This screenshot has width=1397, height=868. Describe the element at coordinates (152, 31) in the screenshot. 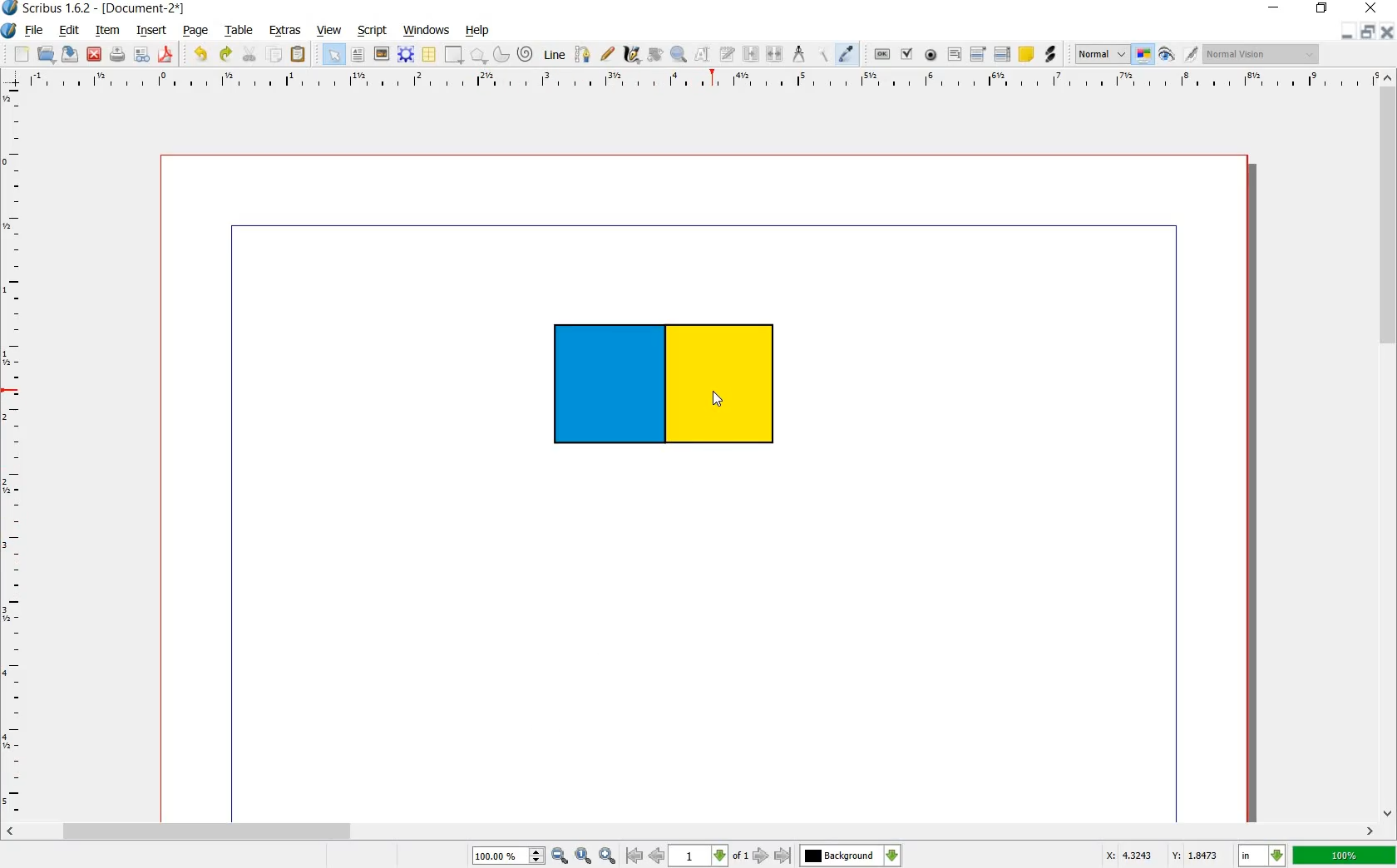

I see `insert` at that location.